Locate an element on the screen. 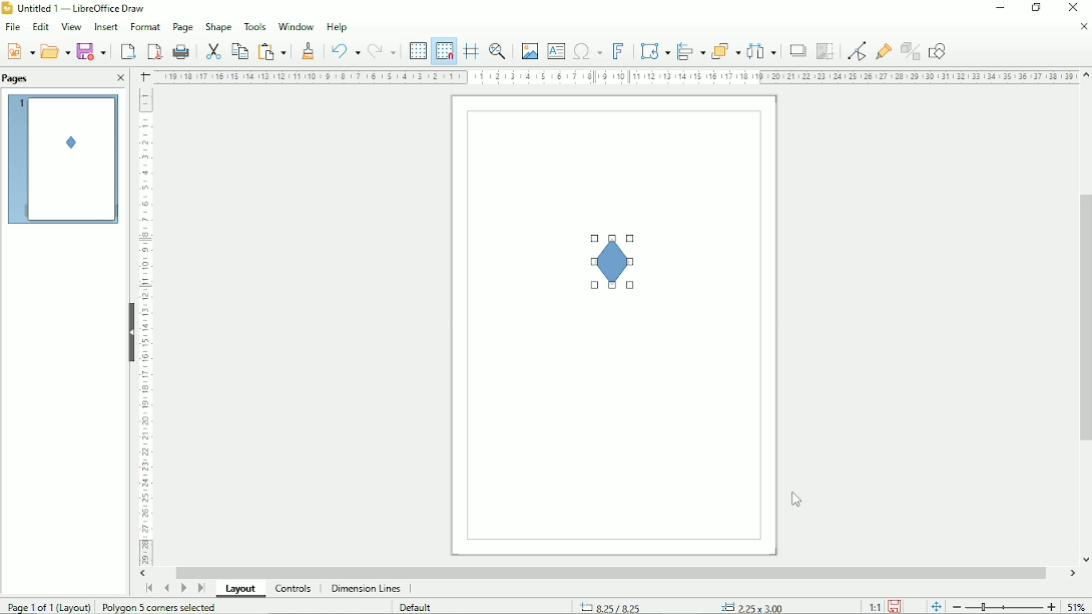 Image resolution: width=1092 pixels, height=614 pixels. Paste is located at coordinates (274, 49).